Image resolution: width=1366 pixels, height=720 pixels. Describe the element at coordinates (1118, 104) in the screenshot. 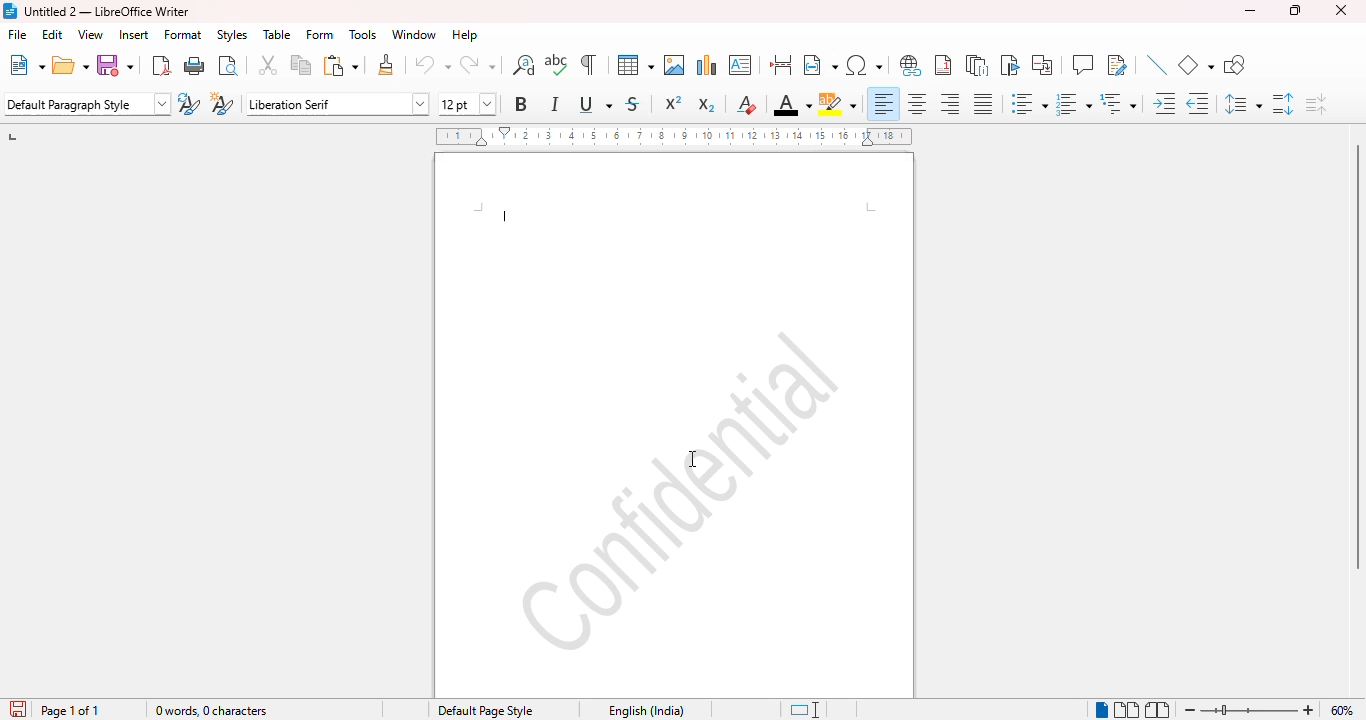

I see `select outline format` at that location.